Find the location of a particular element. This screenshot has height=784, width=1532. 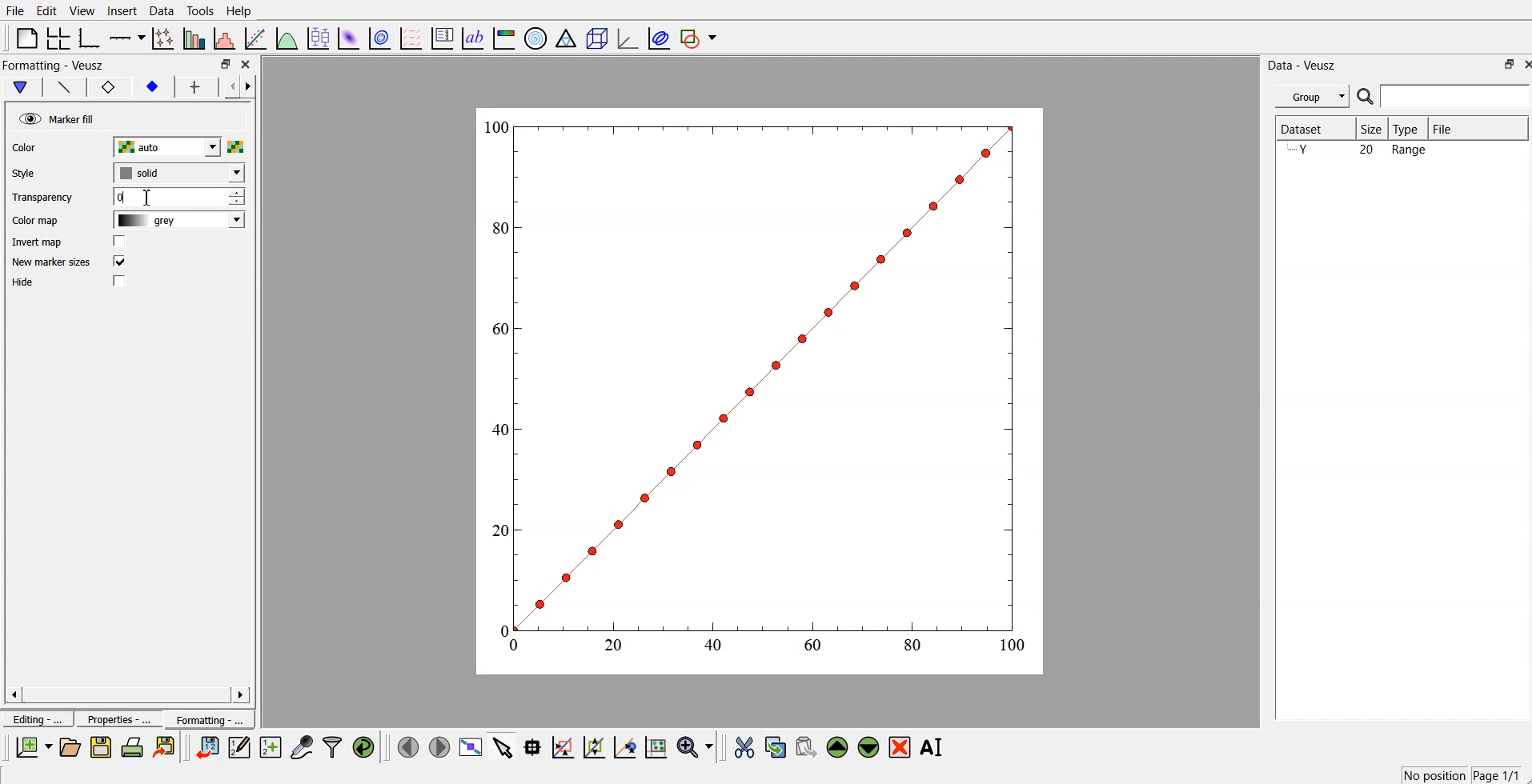

select items from the graph is located at coordinates (505, 746).